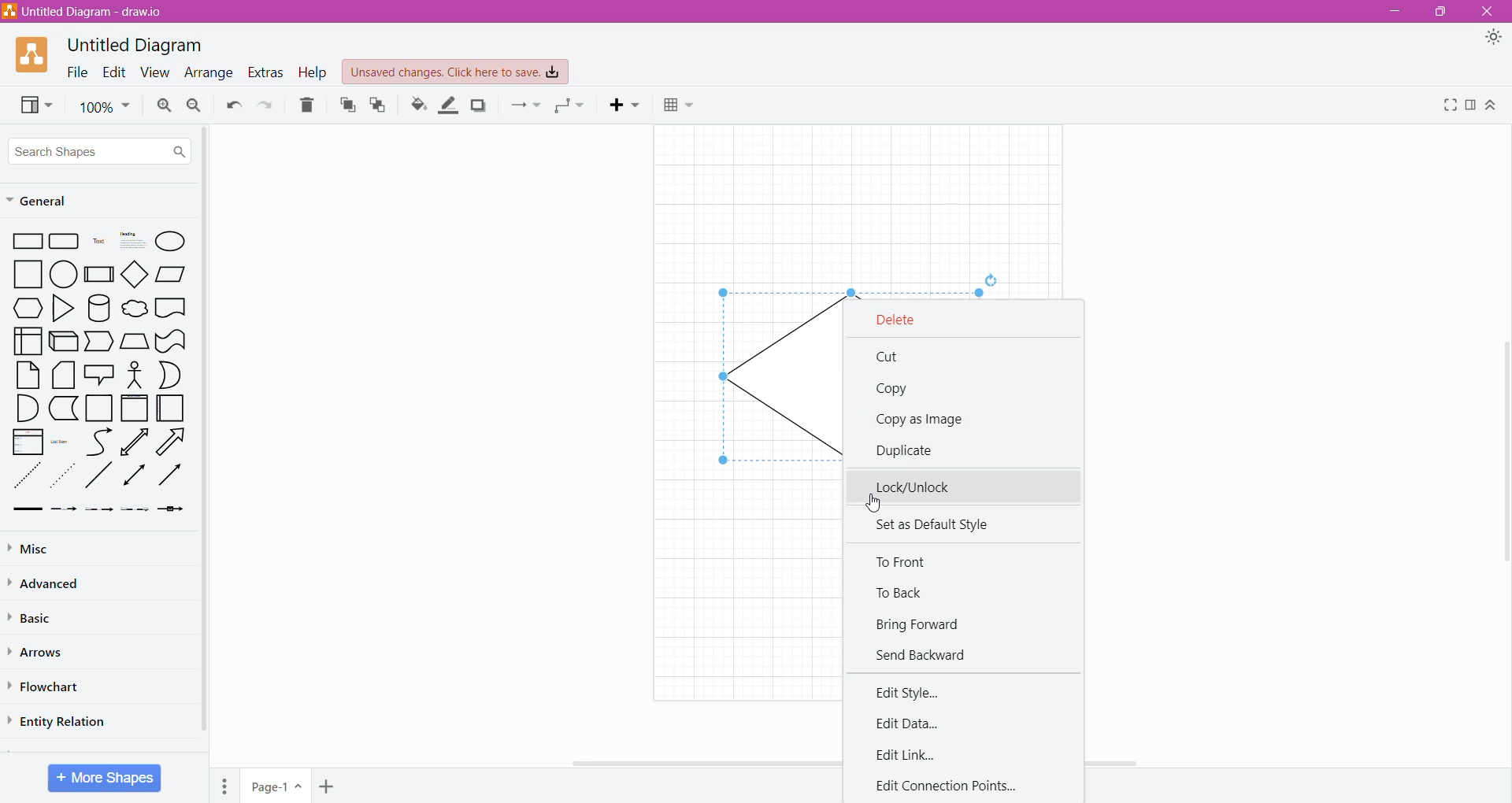 This screenshot has width=1512, height=803. I want to click on Cursor on lock/unlock, so click(875, 504).